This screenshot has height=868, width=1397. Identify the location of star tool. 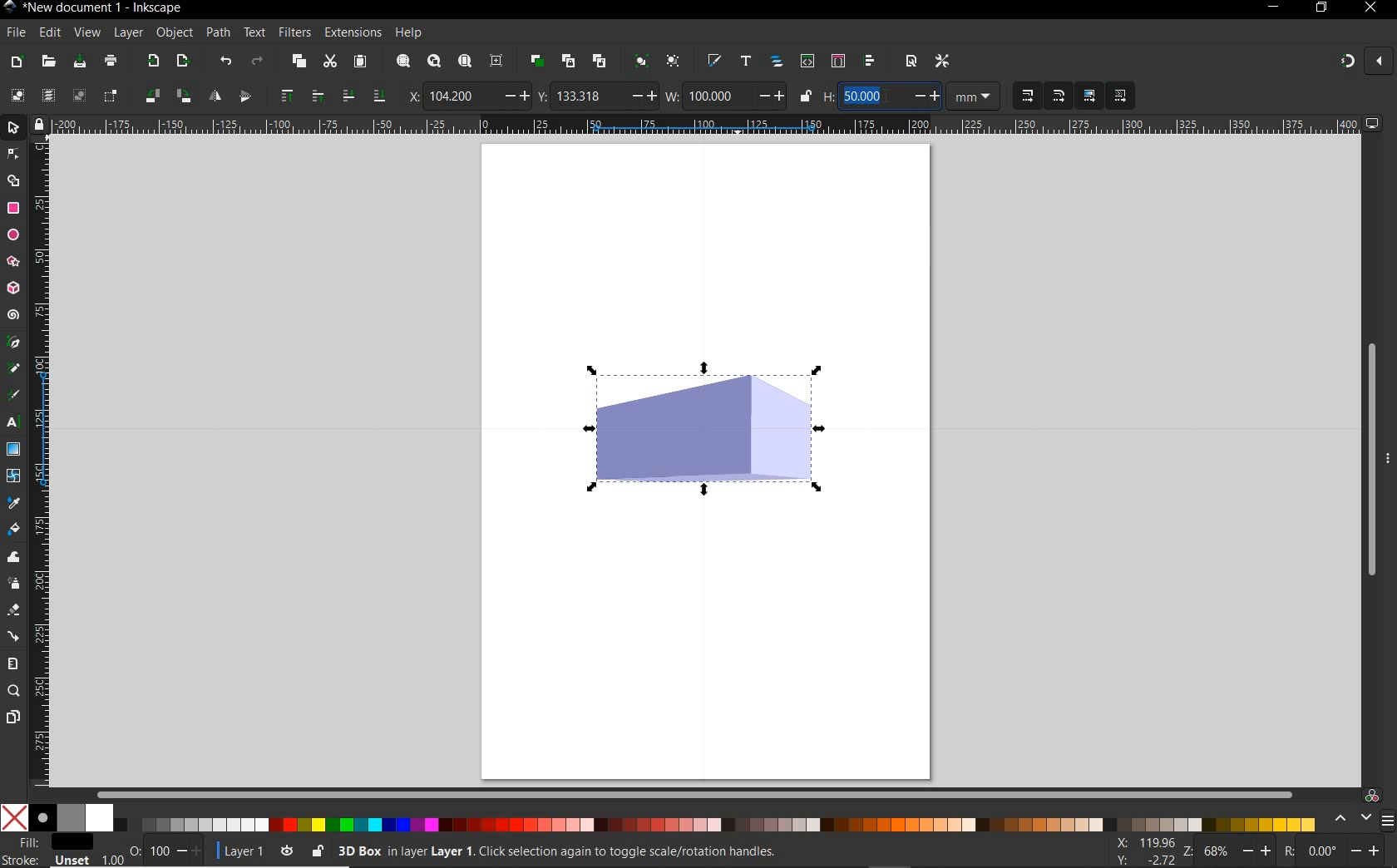
(13, 262).